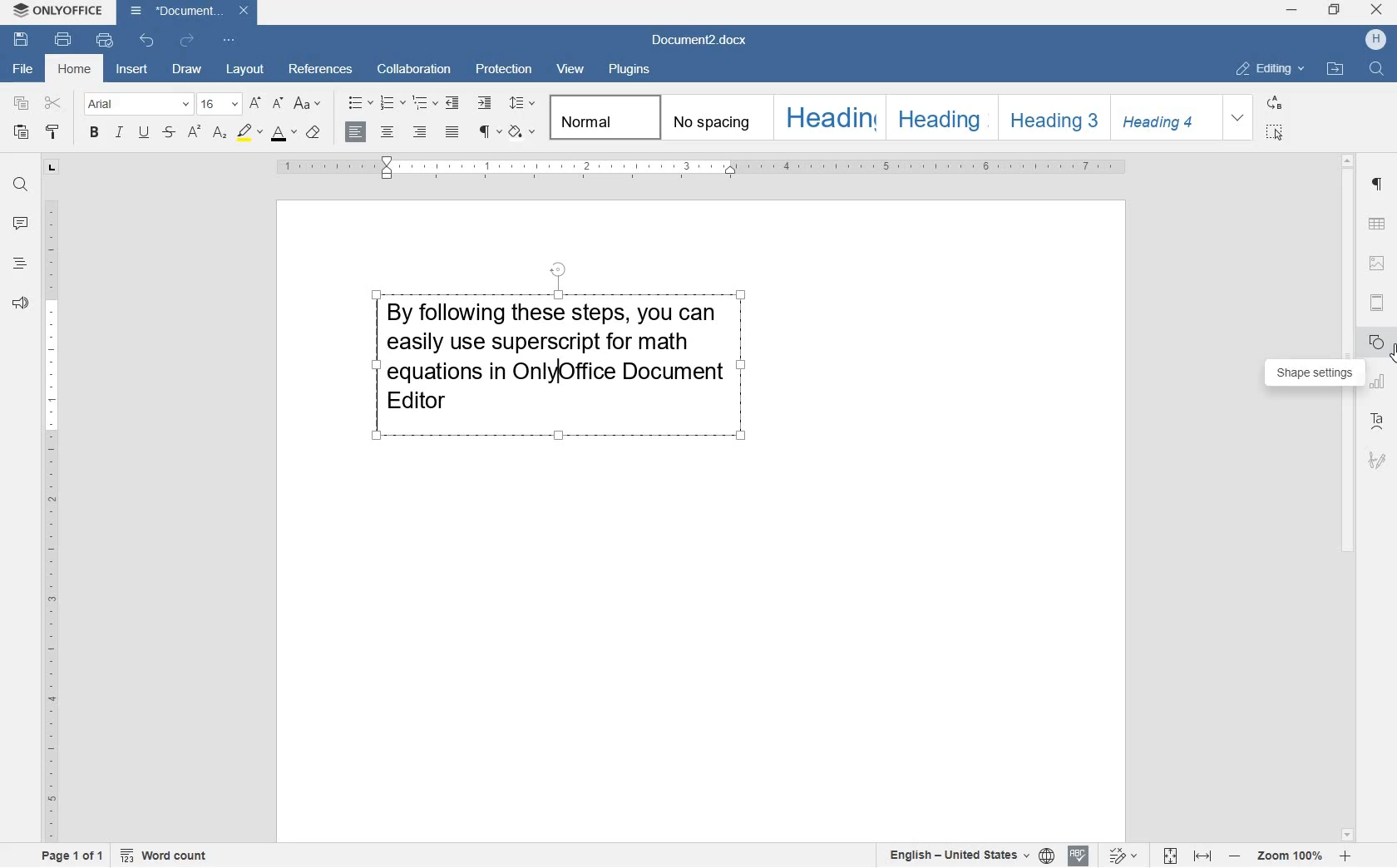 This screenshot has width=1397, height=868. What do you see at coordinates (131, 70) in the screenshot?
I see `insert` at bounding box center [131, 70].